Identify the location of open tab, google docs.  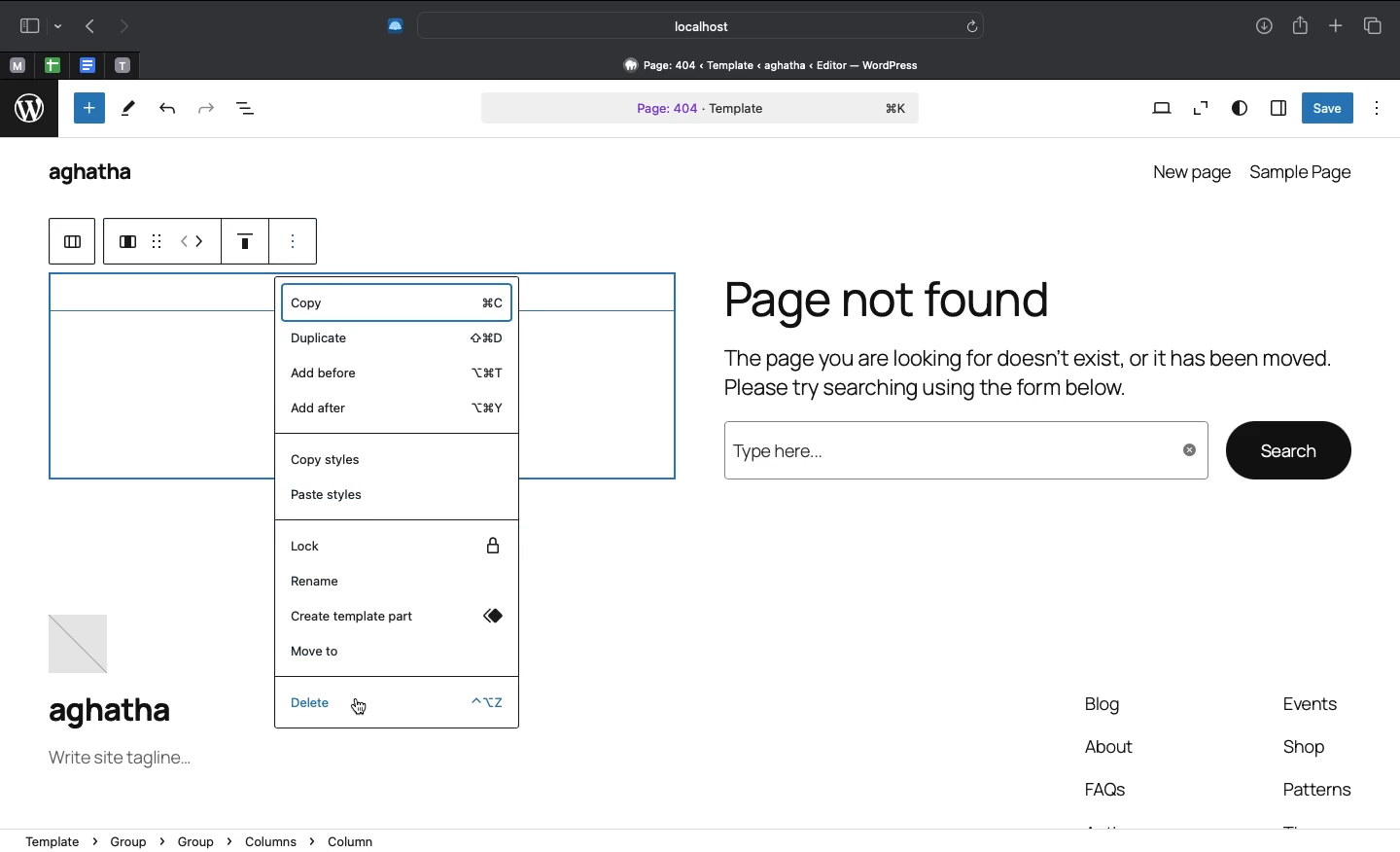
(86, 66).